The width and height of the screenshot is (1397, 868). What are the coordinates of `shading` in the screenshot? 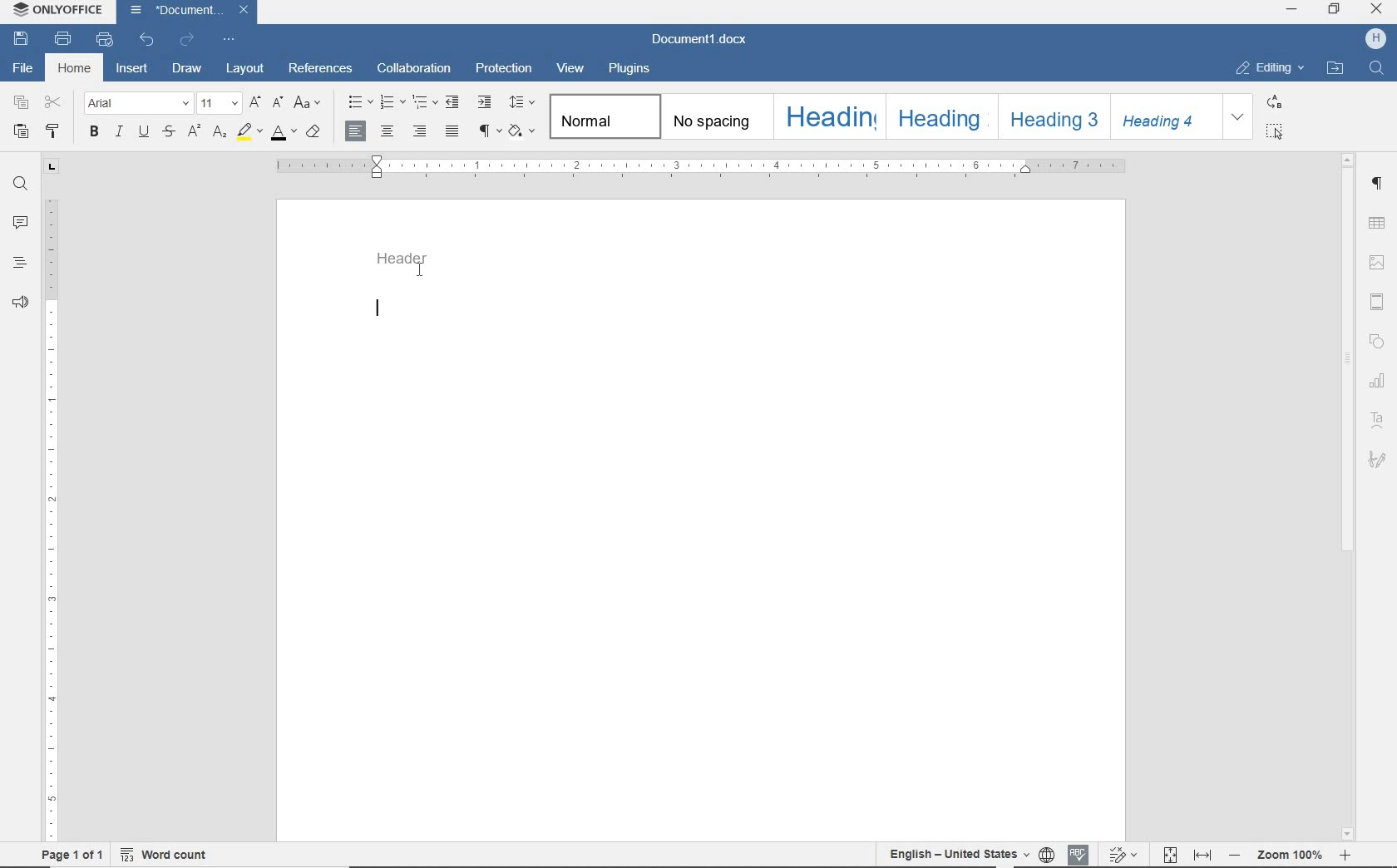 It's located at (524, 131).